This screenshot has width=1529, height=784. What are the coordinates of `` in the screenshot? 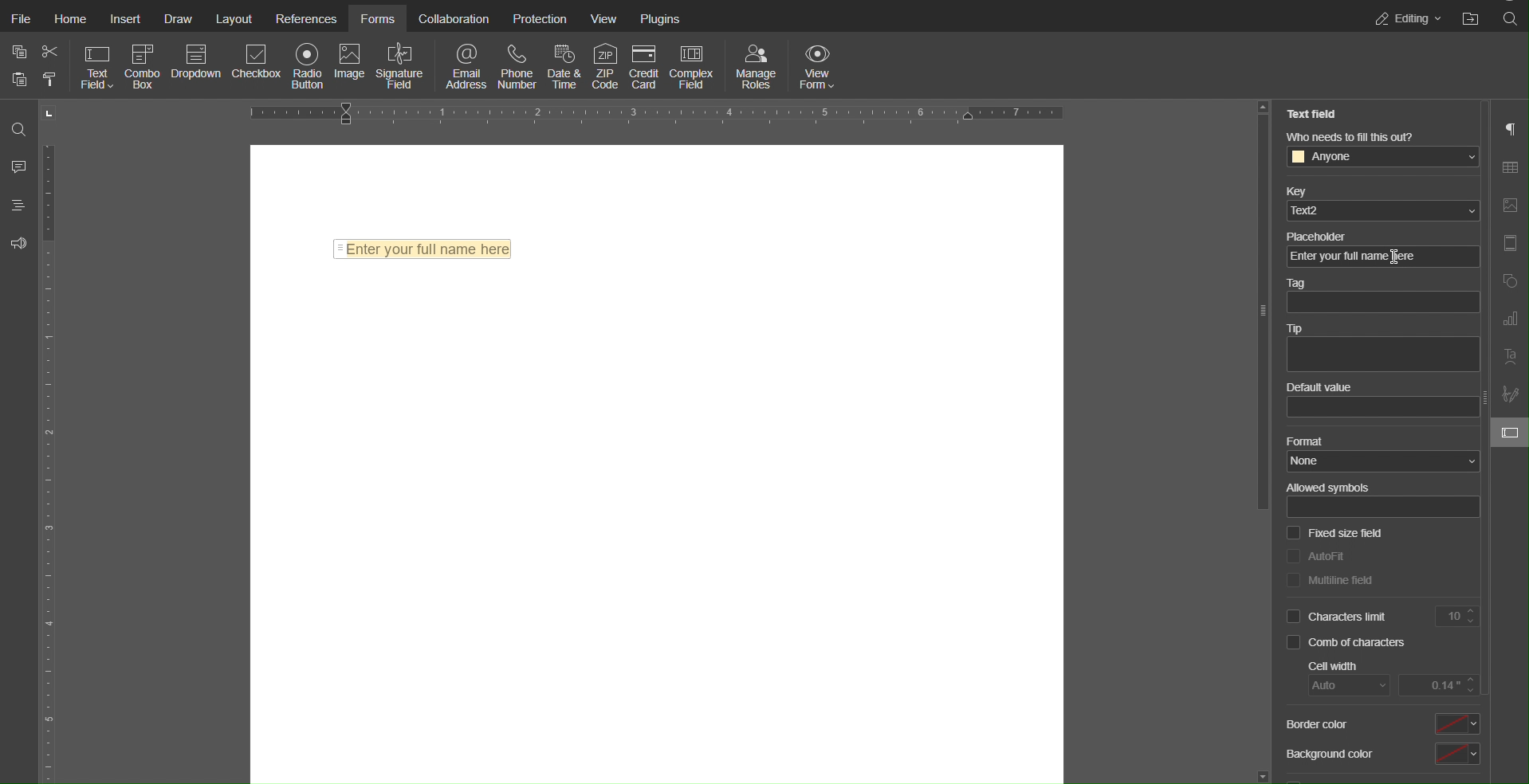 It's located at (1255, 312).